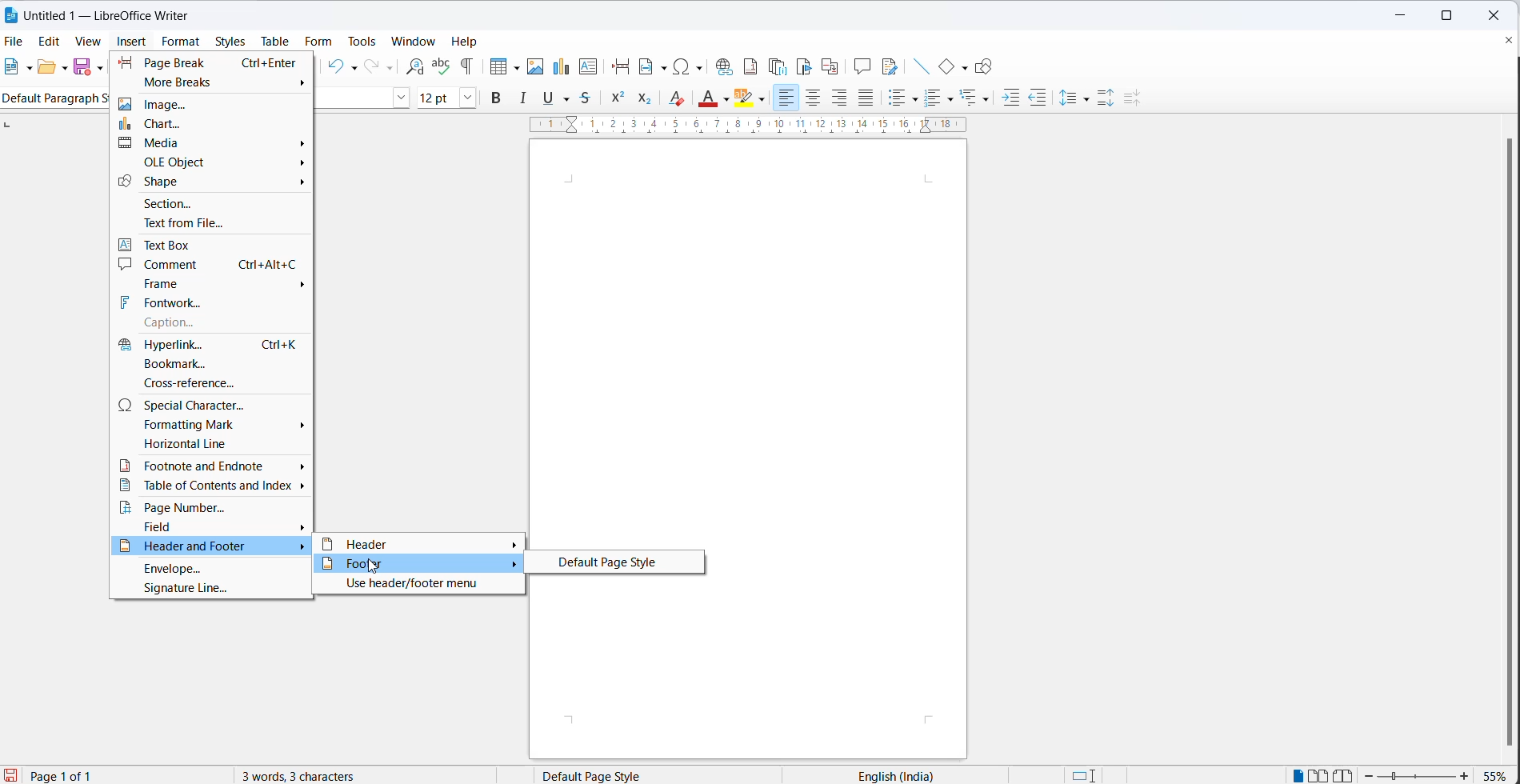 This screenshot has height=784, width=1520. Describe the element at coordinates (211, 82) in the screenshot. I see `more breaks` at that location.